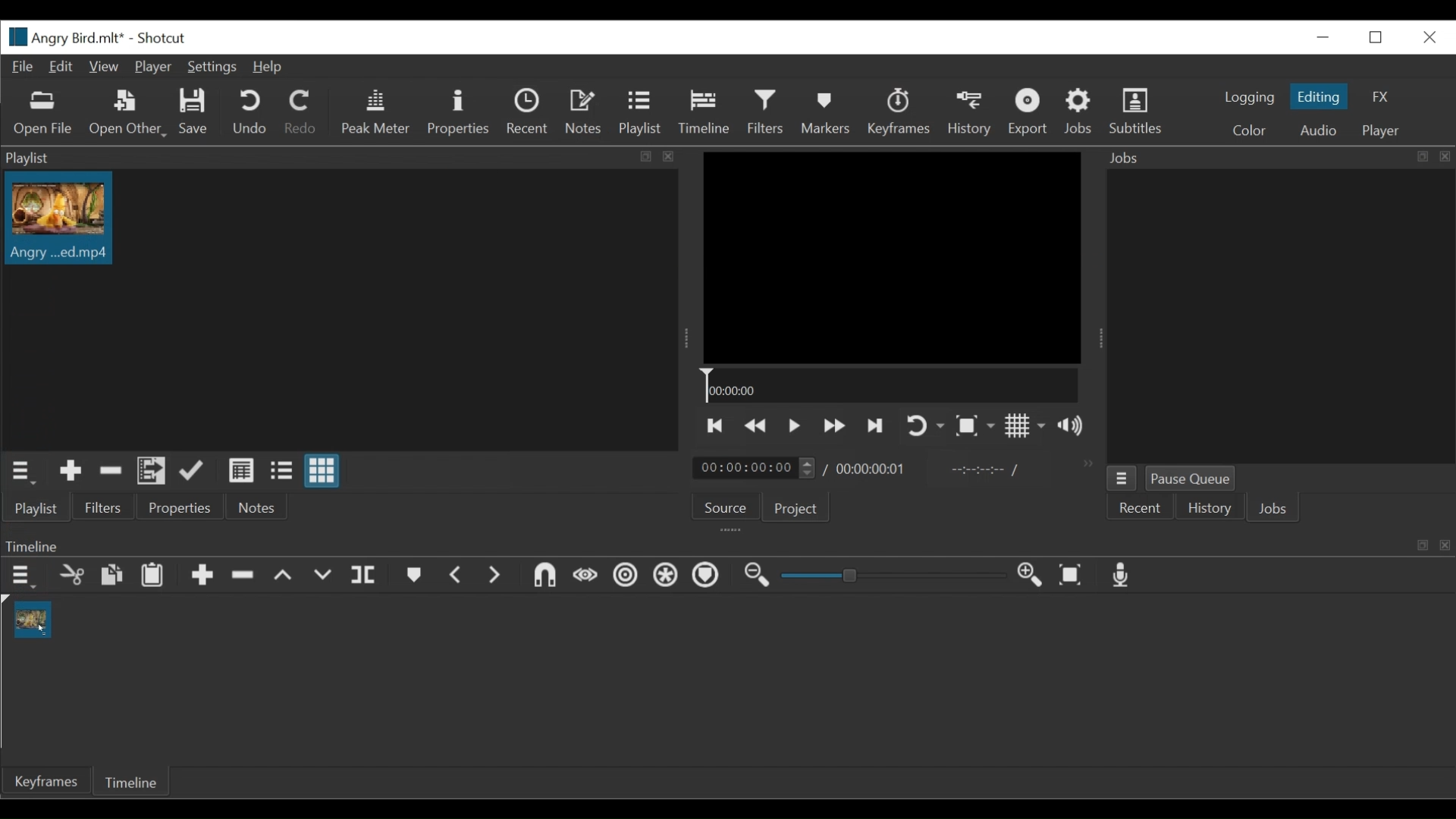 The width and height of the screenshot is (1456, 819). Describe the element at coordinates (254, 507) in the screenshot. I see `Notes` at that location.